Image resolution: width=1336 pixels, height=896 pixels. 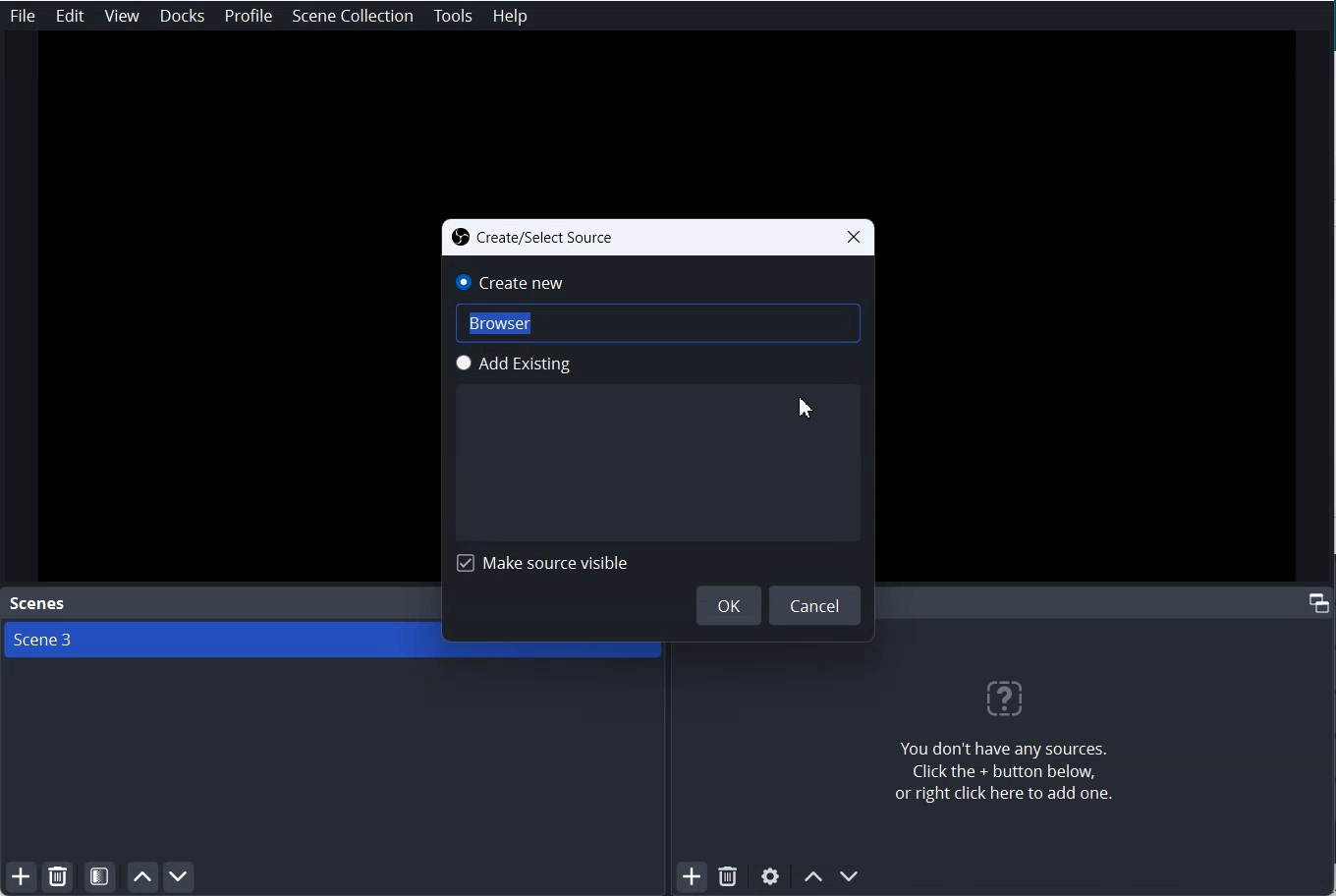 I want to click on Scene Collection, so click(x=354, y=16).